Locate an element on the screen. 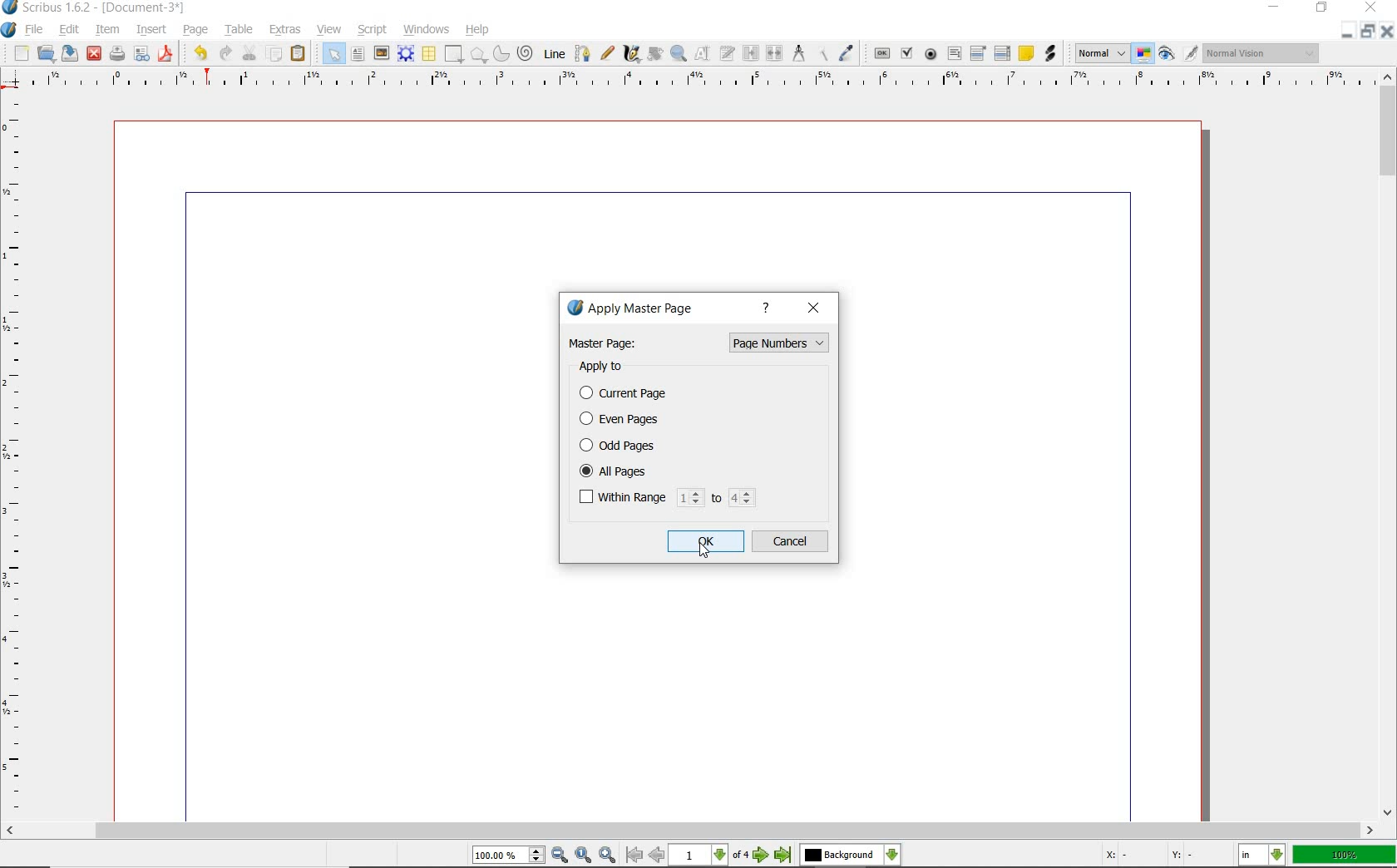 This screenshot has height=868, width=1397. select is located at coordinates (333, 53).